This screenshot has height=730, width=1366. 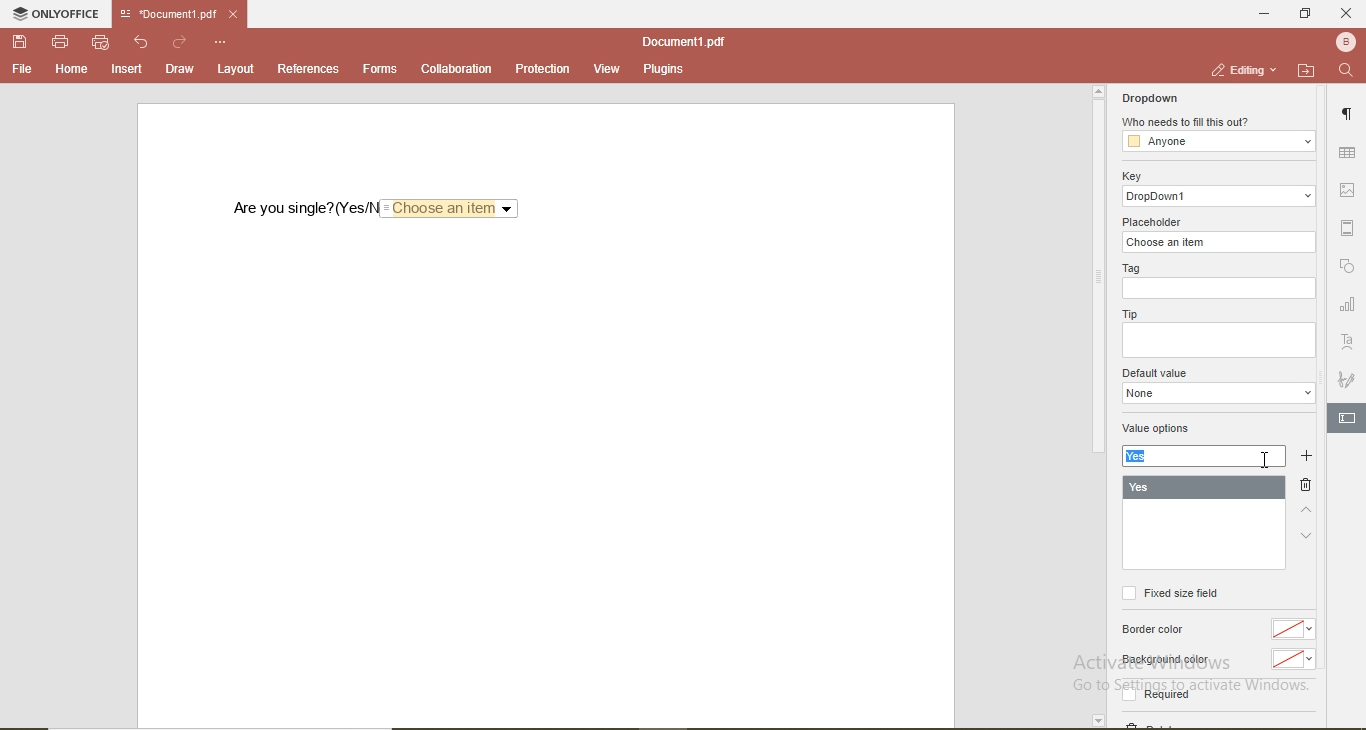 I want to click on redo, so click(x=180, y=43).